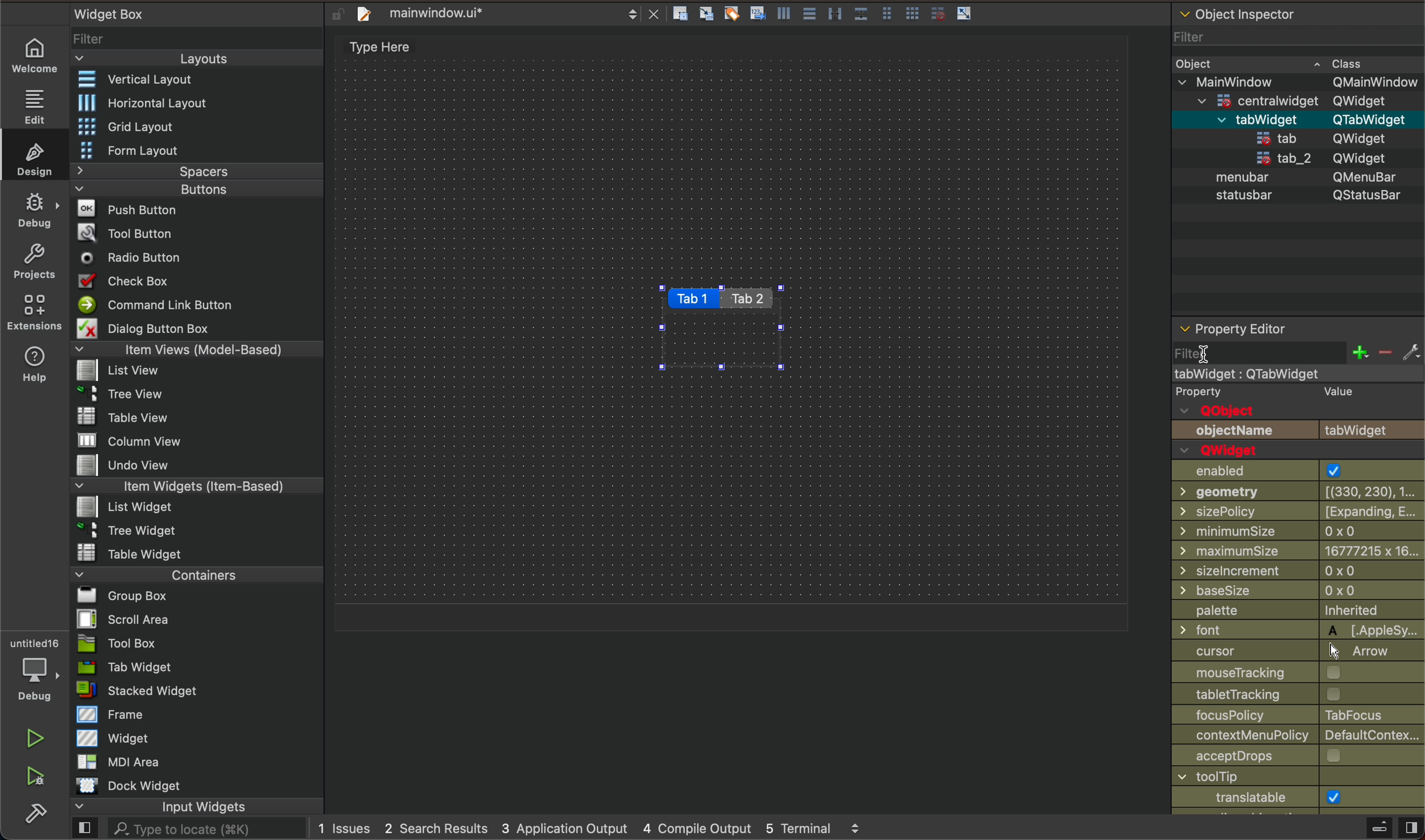 The height and width of the screenshot is (840, 1425). Describe the element at coordinates (119, 209) in the screenshot. I see `Push Button` at that location.